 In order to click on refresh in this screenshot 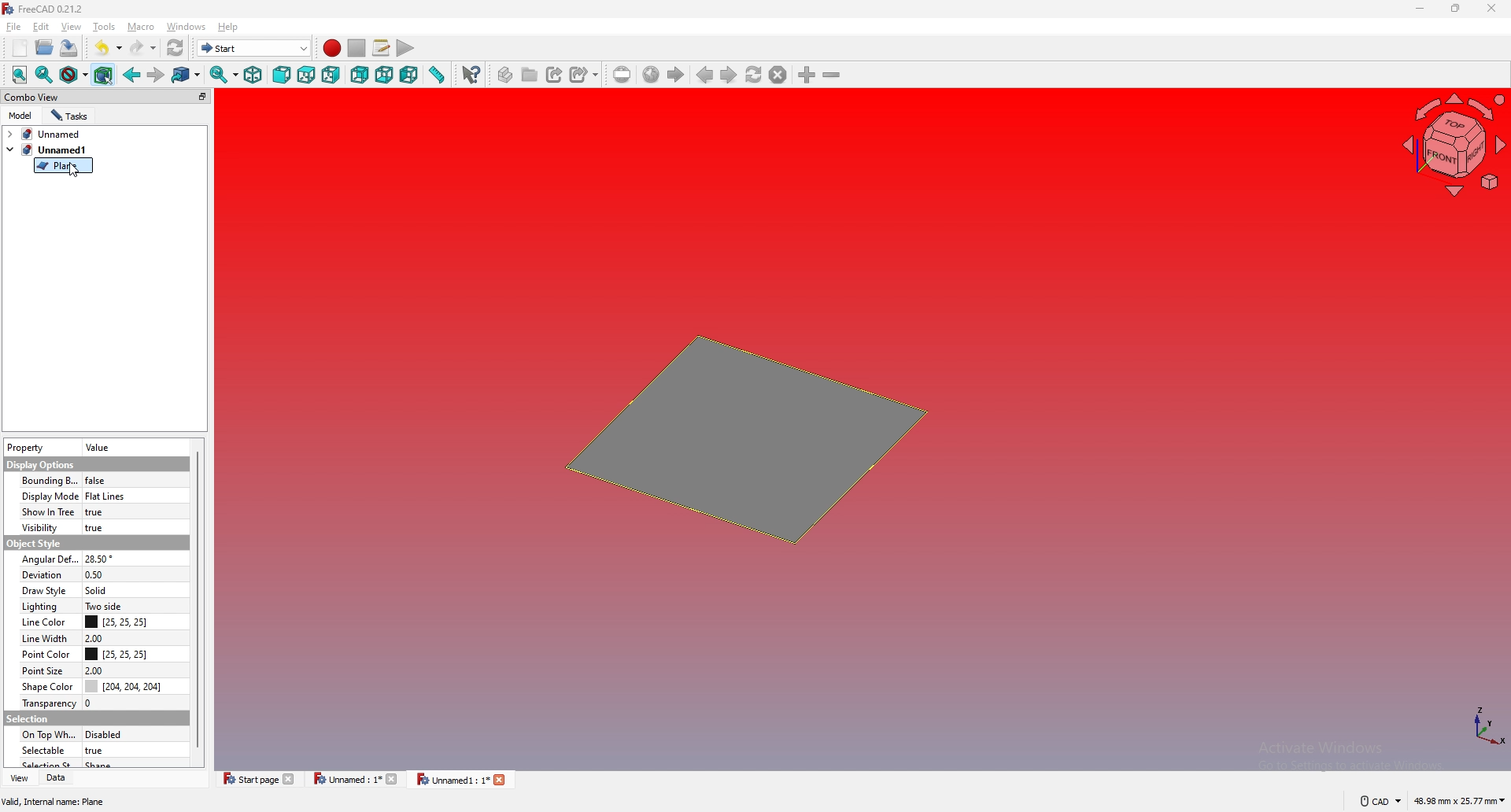, I will do `click(176, 49)`.